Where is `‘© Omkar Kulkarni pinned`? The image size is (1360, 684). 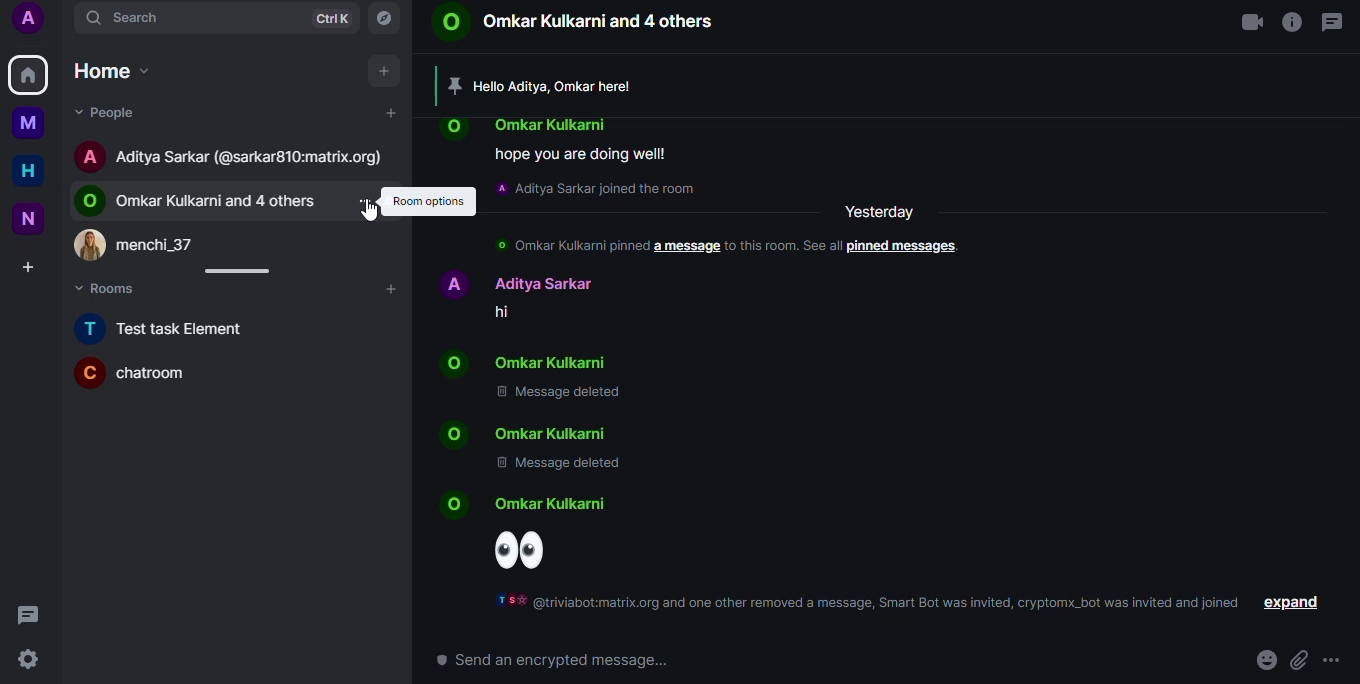
‘© Omkar Kulkarni pinned is located at coordinates (570, 244).